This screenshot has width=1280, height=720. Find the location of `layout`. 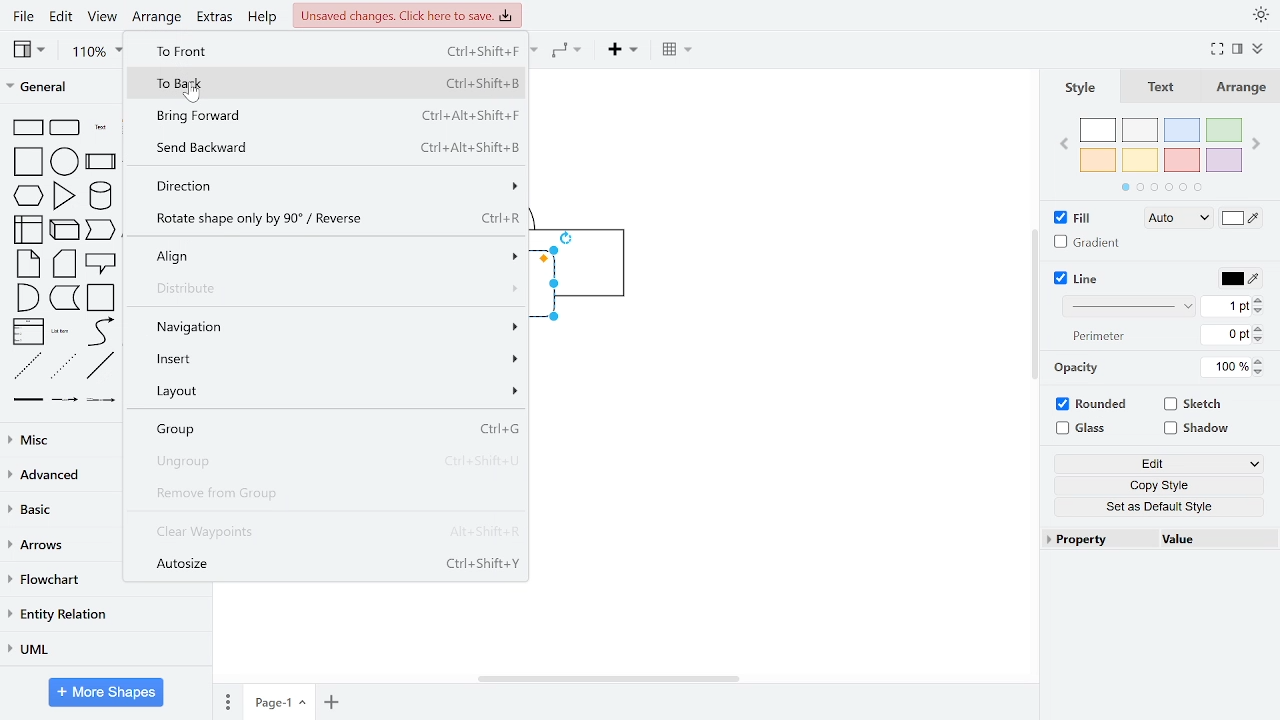

layout is located at coordinates (330, 393).